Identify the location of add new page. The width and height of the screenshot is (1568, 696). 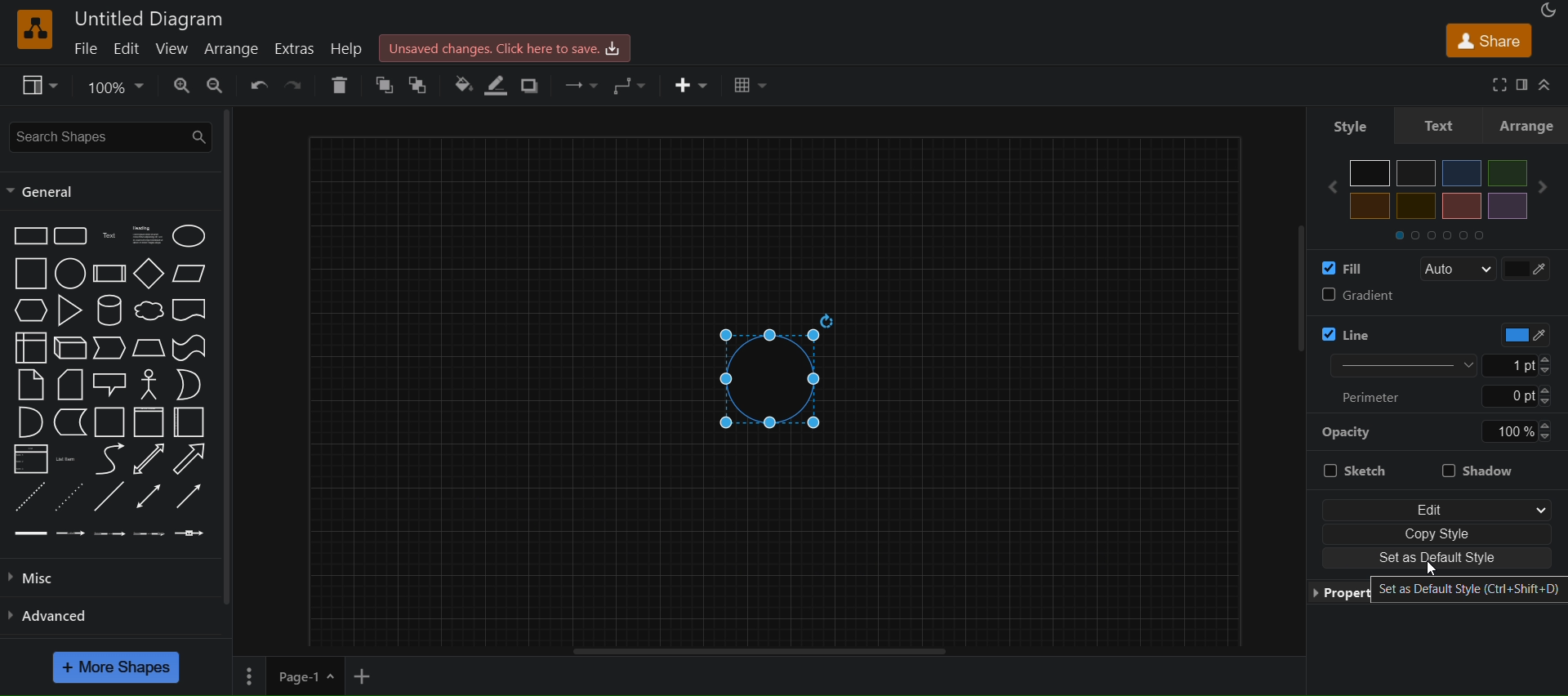
(371, 677).